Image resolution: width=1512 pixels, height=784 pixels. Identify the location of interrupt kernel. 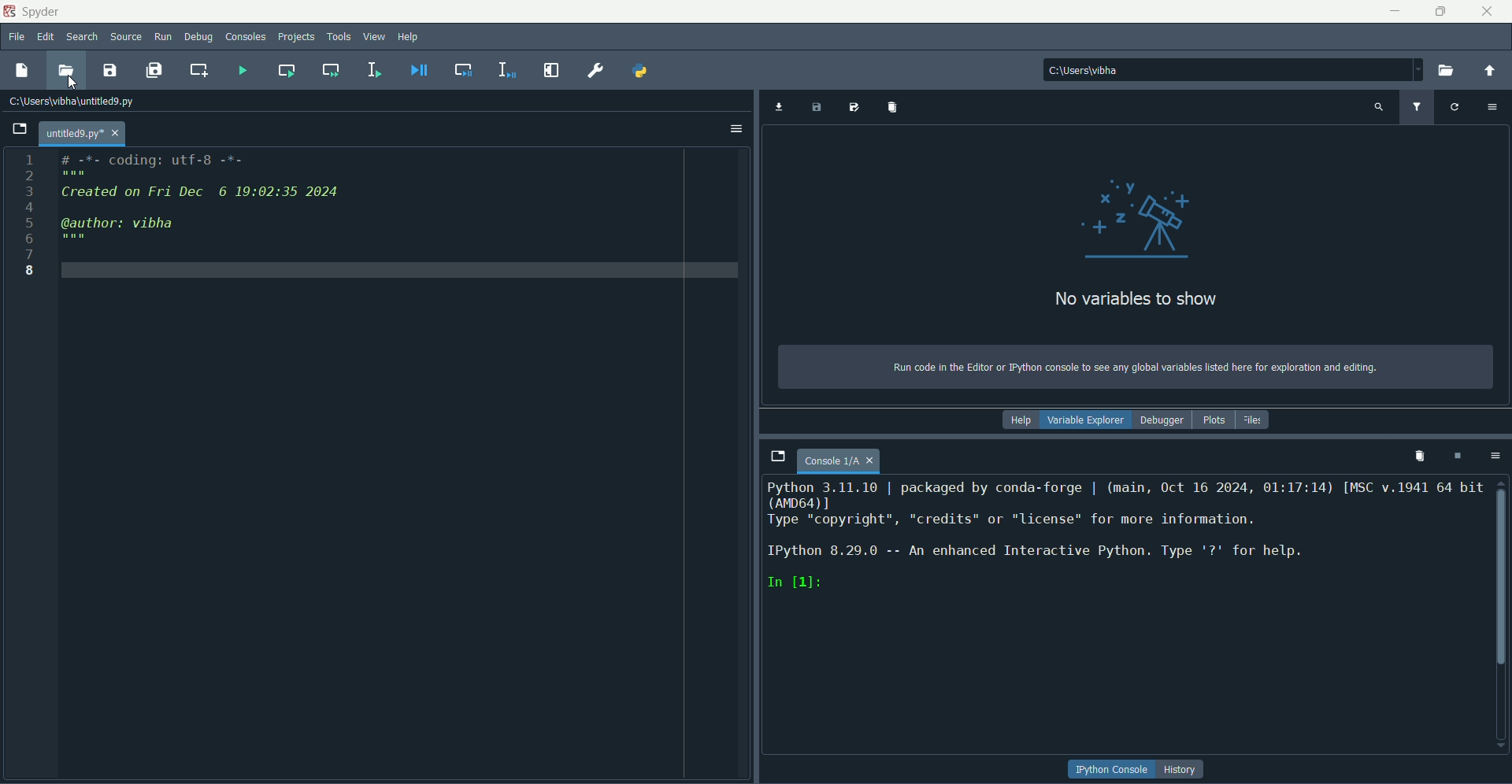
(1459, 457).